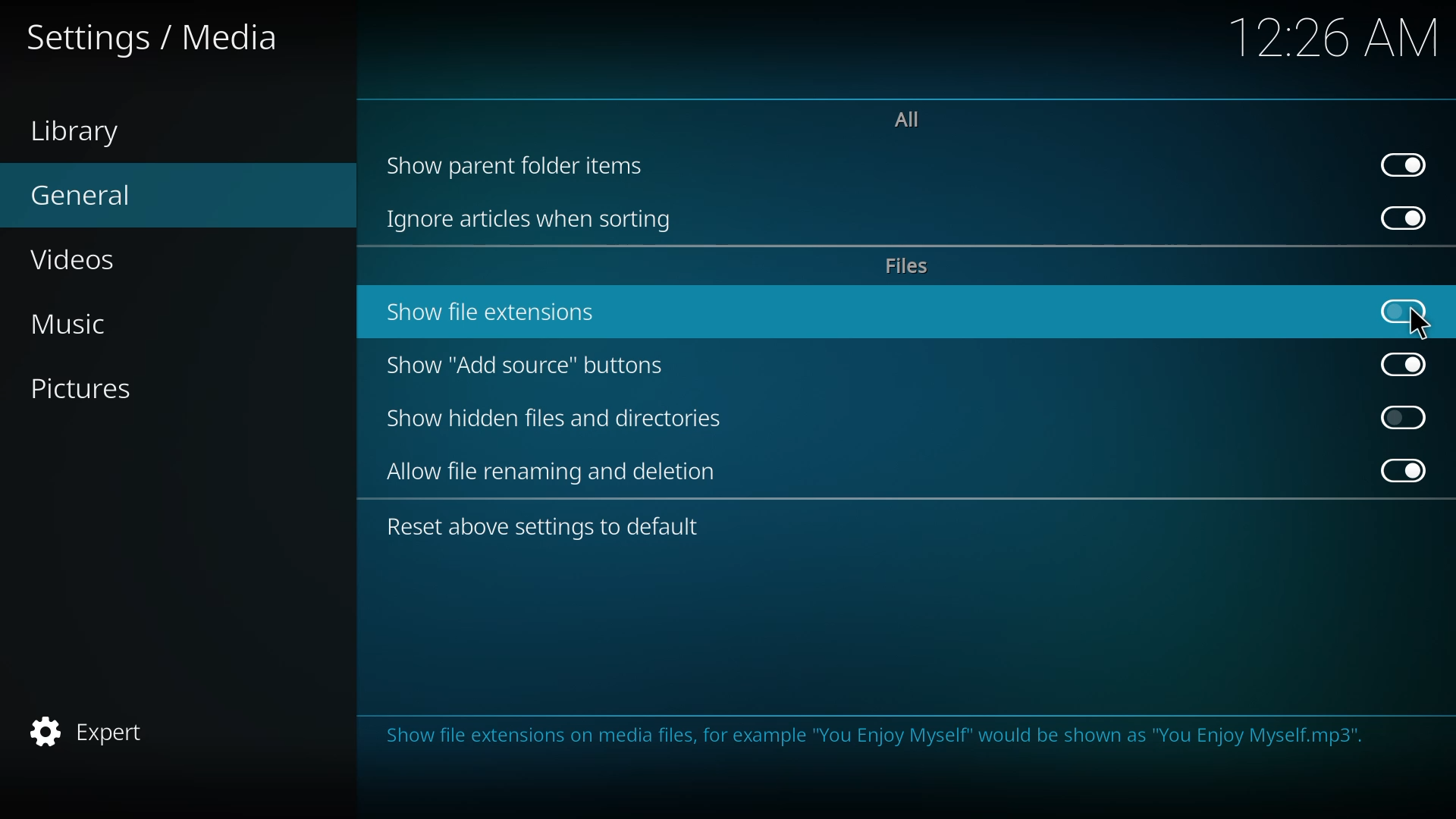  Describe the element at coordinates (162, 42) in the screenshot. I see `settings media` at that location.